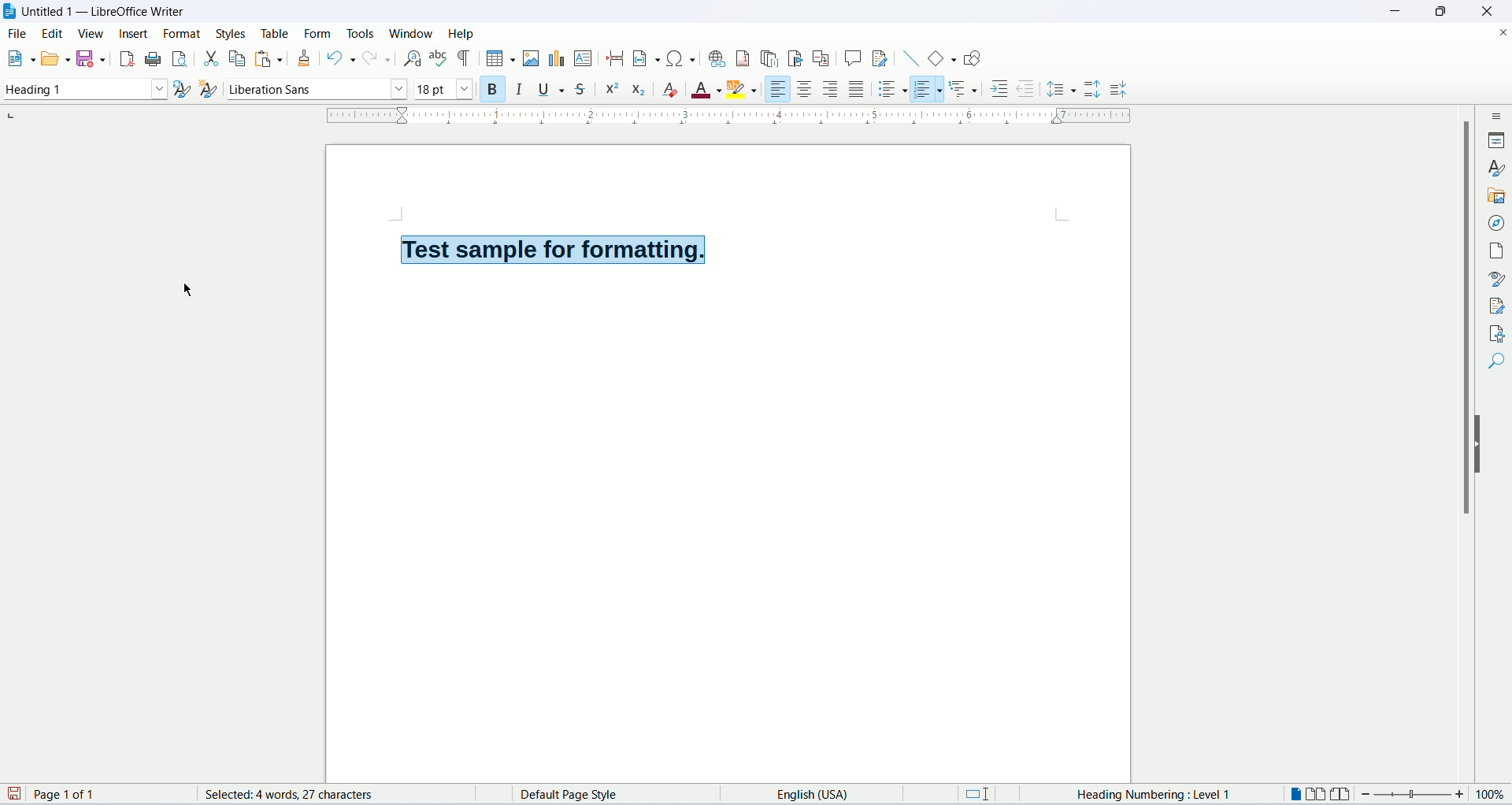 Image resolution: width=1512 pixels, height=805 pixels. Describe the element at coordinates (465, 58) in the screenshot. I see `mark formatting` at that location.